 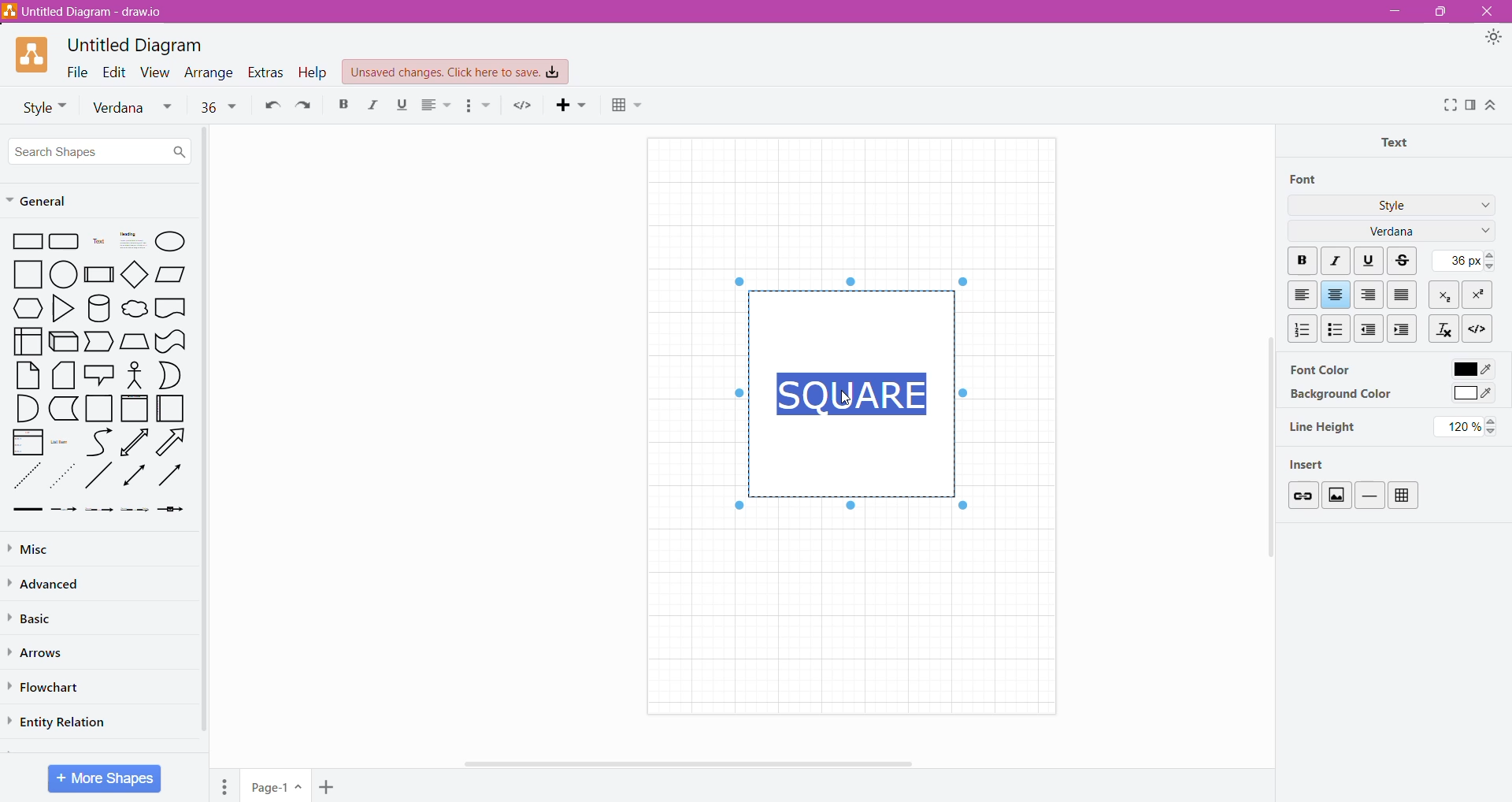 What do you see at coordinates (1472, 395) in the screenshot?
I see `Click to select Background color` at bounding box center [1472, 395].